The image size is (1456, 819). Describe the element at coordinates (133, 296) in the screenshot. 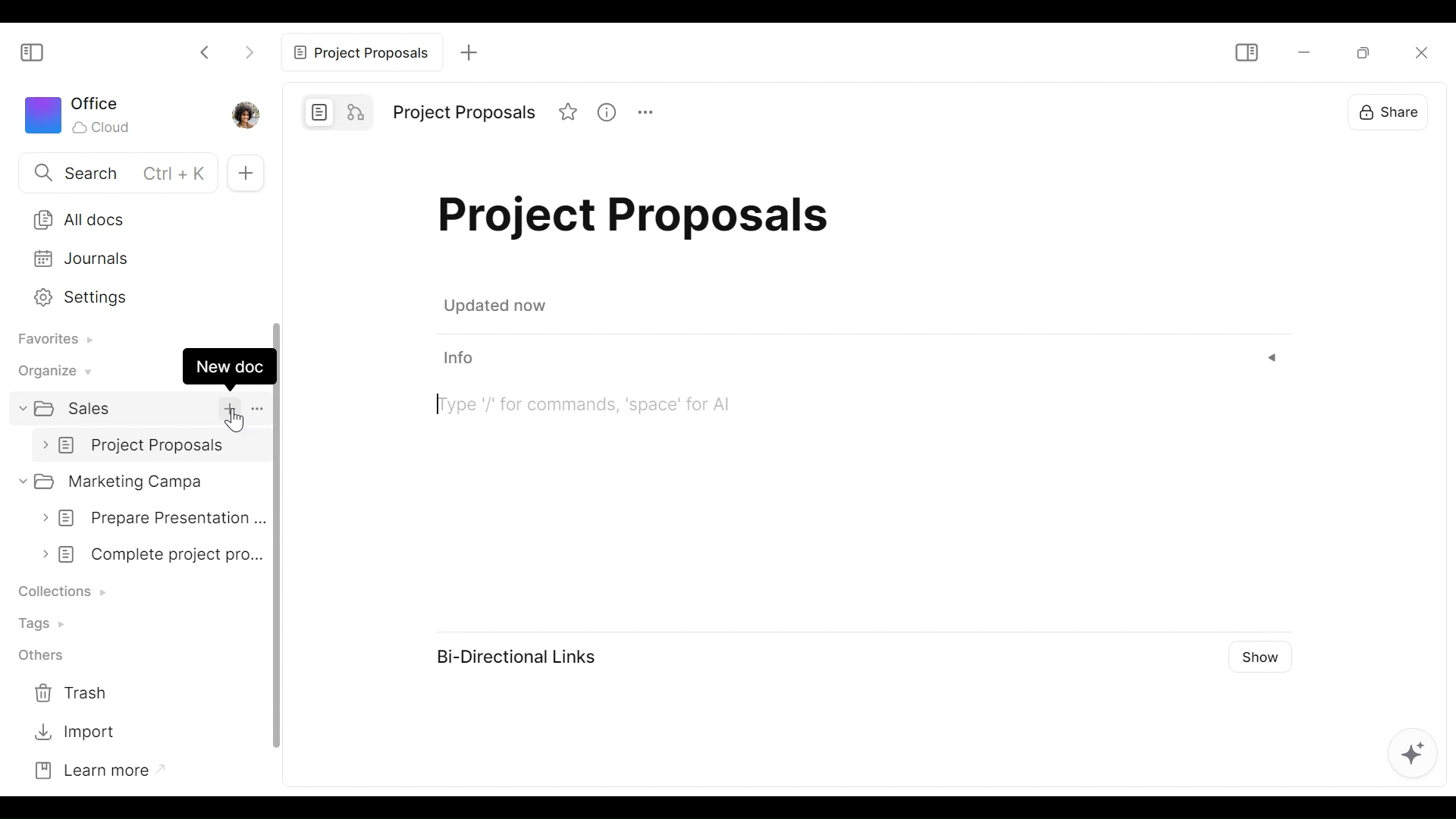

I see `Settings` at that location.